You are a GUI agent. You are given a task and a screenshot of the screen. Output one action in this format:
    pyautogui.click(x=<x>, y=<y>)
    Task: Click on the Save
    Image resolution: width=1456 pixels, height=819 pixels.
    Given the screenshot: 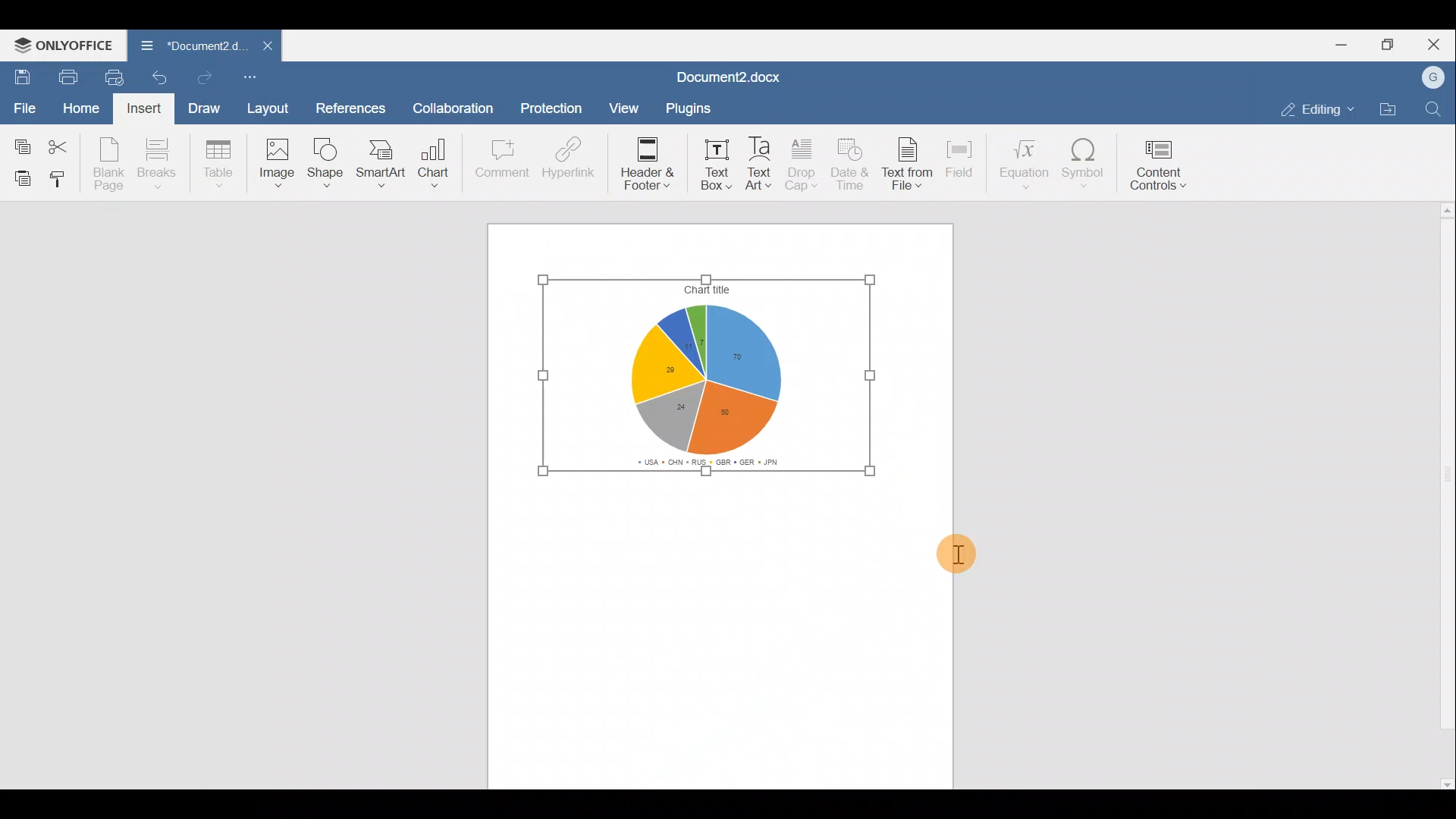 What is the action you would take?
    pyautogui.click(x=19, y=77)
    